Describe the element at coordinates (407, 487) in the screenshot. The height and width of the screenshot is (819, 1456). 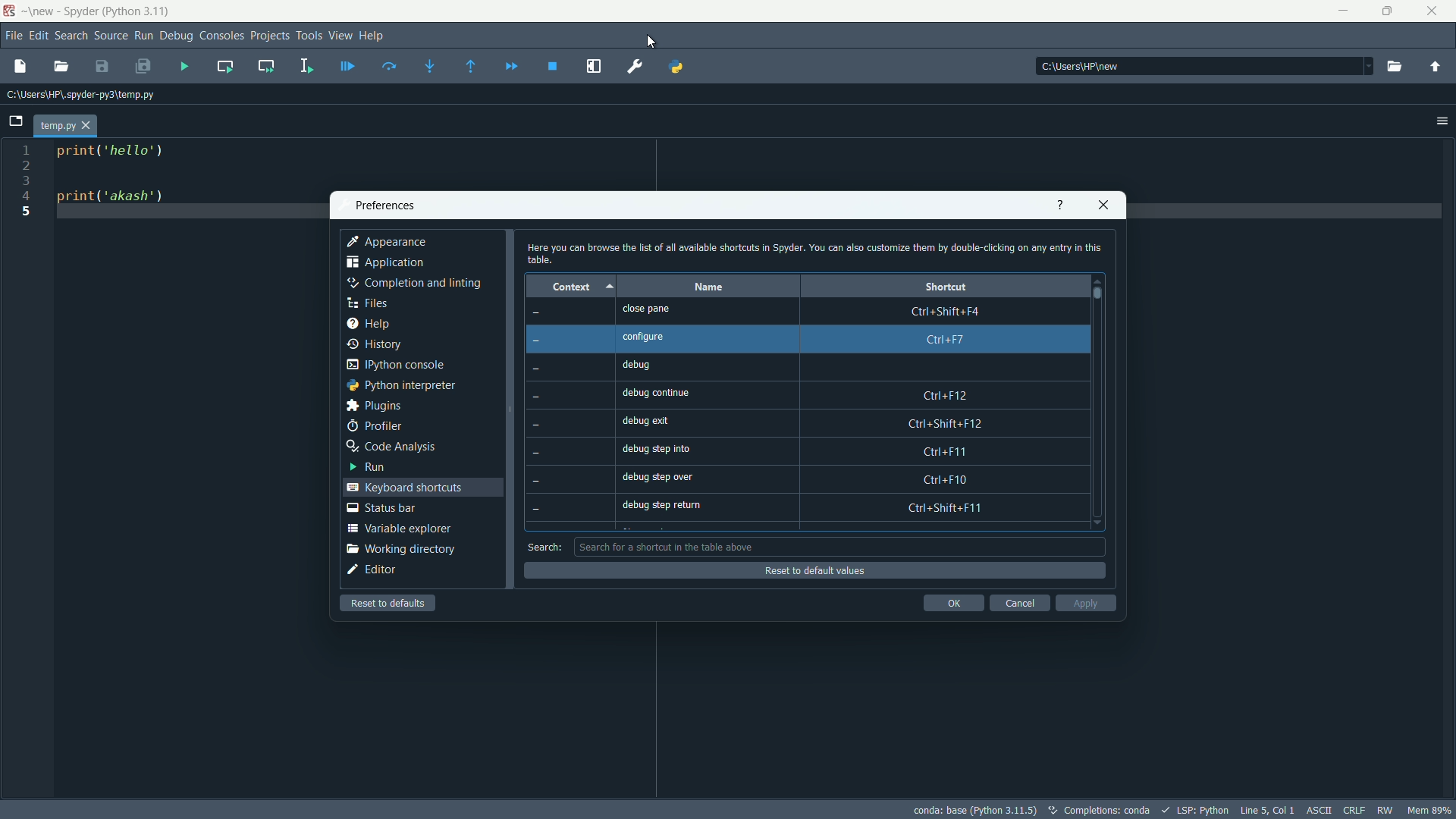
I see `keyboard shortcuts` at that location.